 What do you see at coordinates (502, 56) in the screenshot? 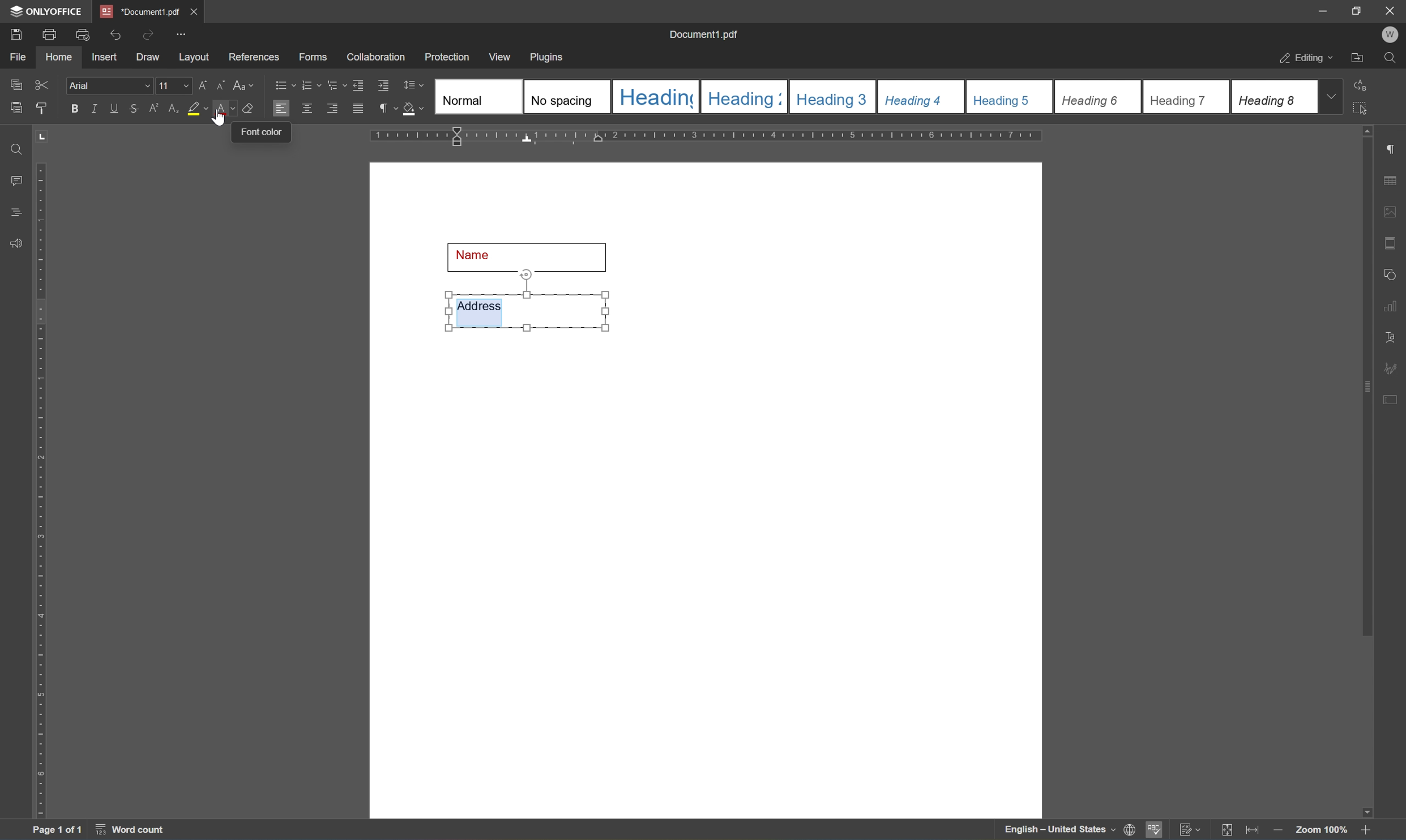
I see `view` at bounding box center [502, 56].